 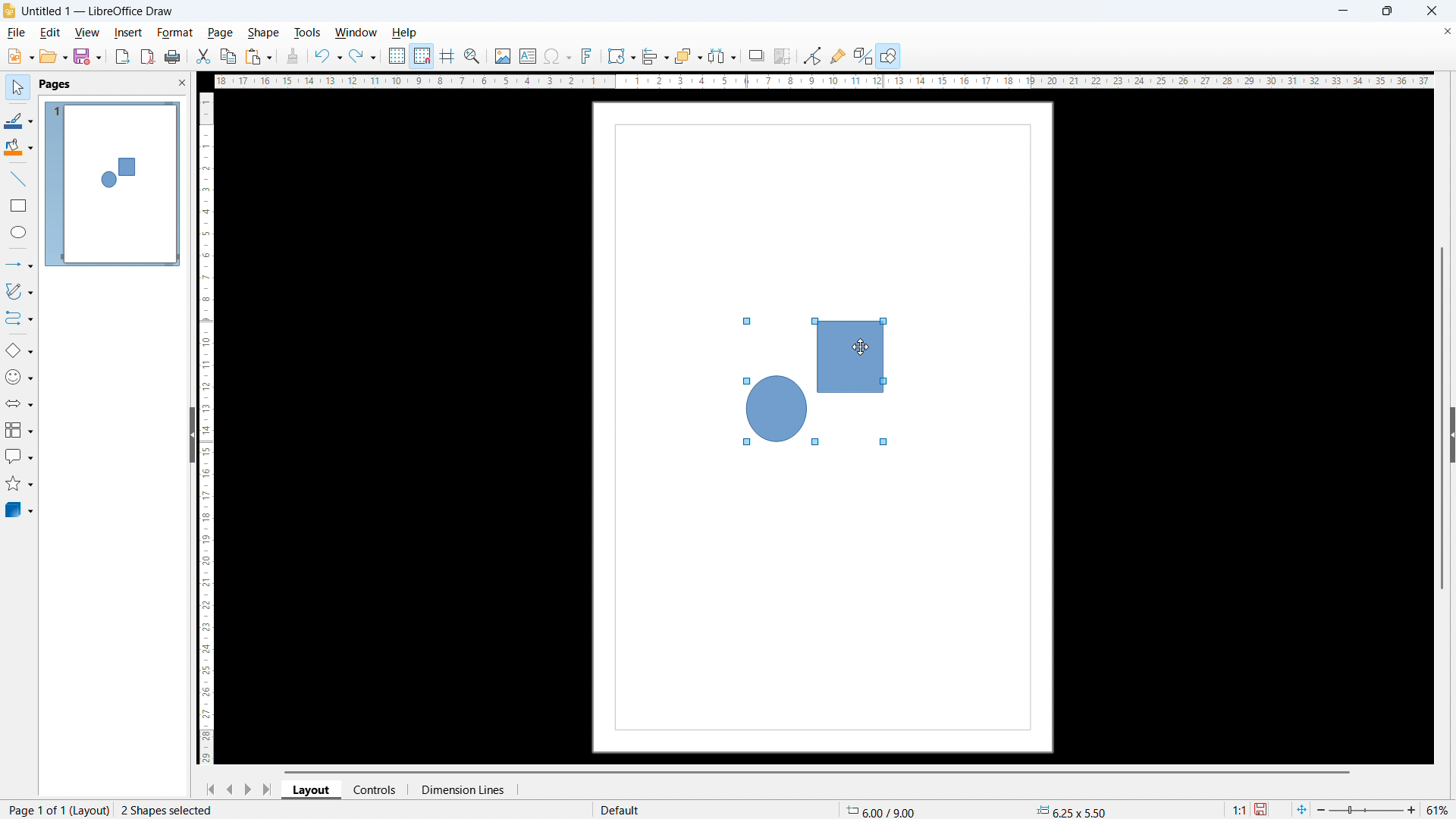 I want to click on go to last page, so click(x=270, y=790).